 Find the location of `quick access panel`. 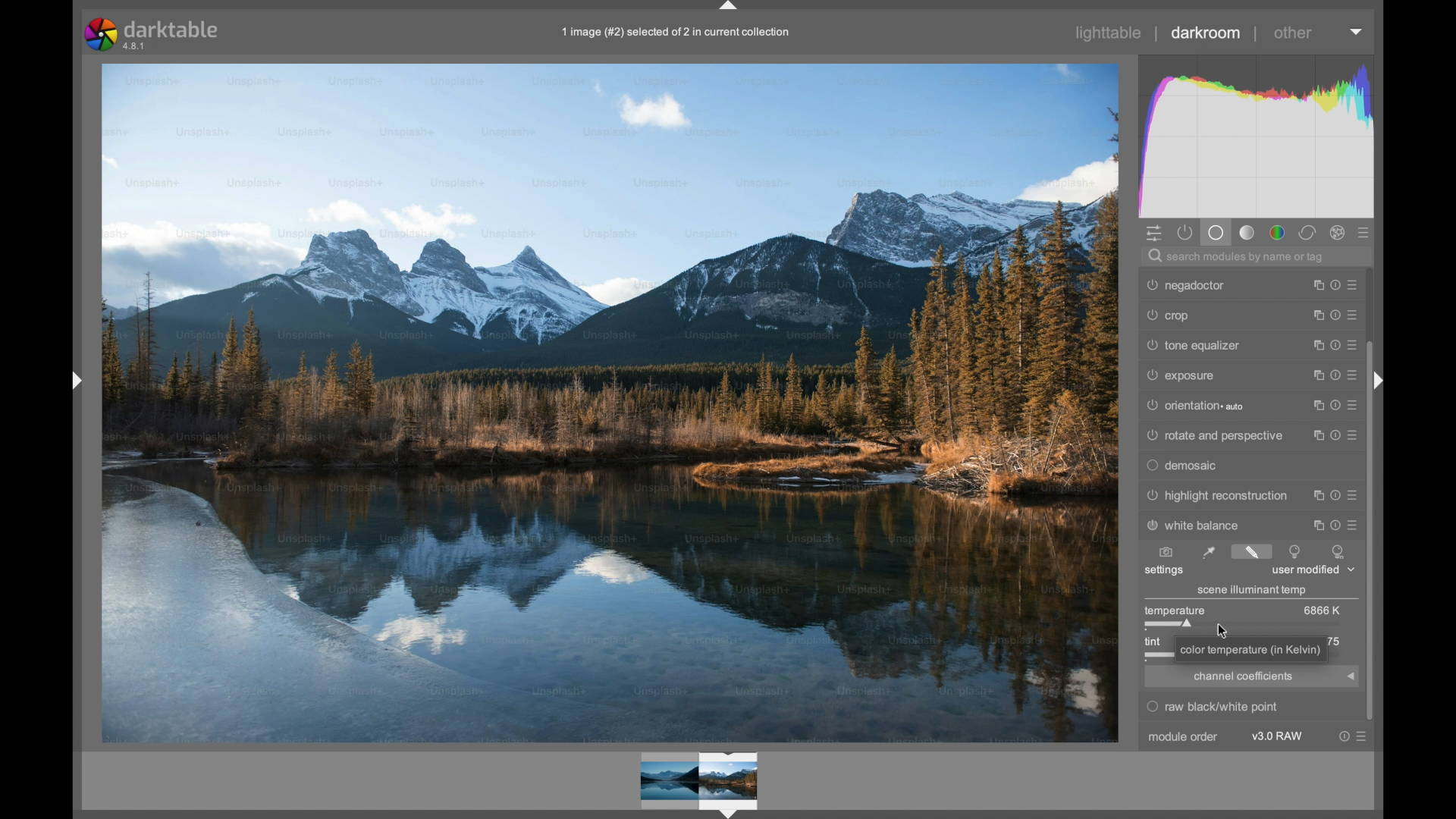

quick access panel is located at coordinates (1154, 234).